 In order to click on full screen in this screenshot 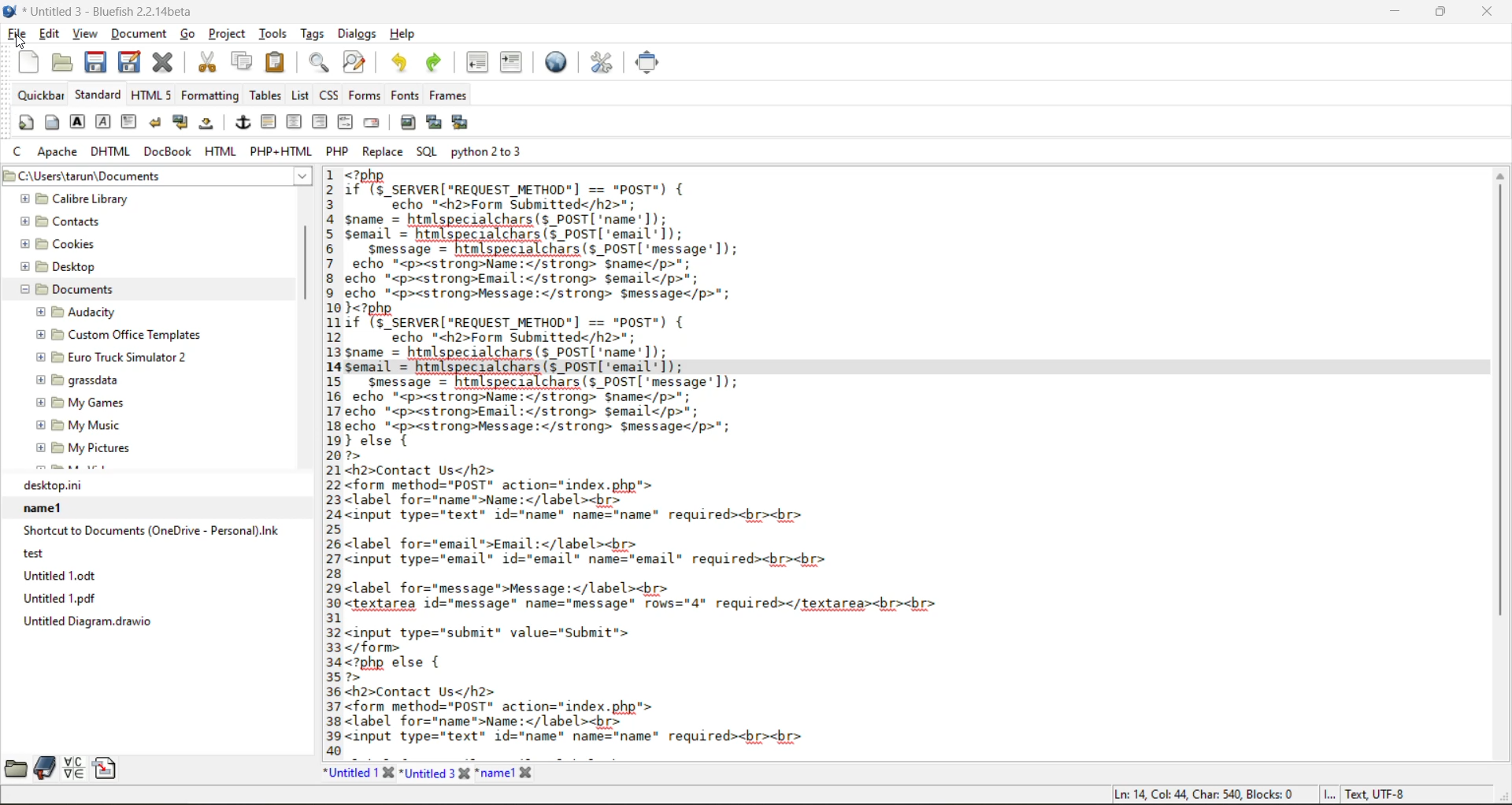, I will do `click(649, 62)`.